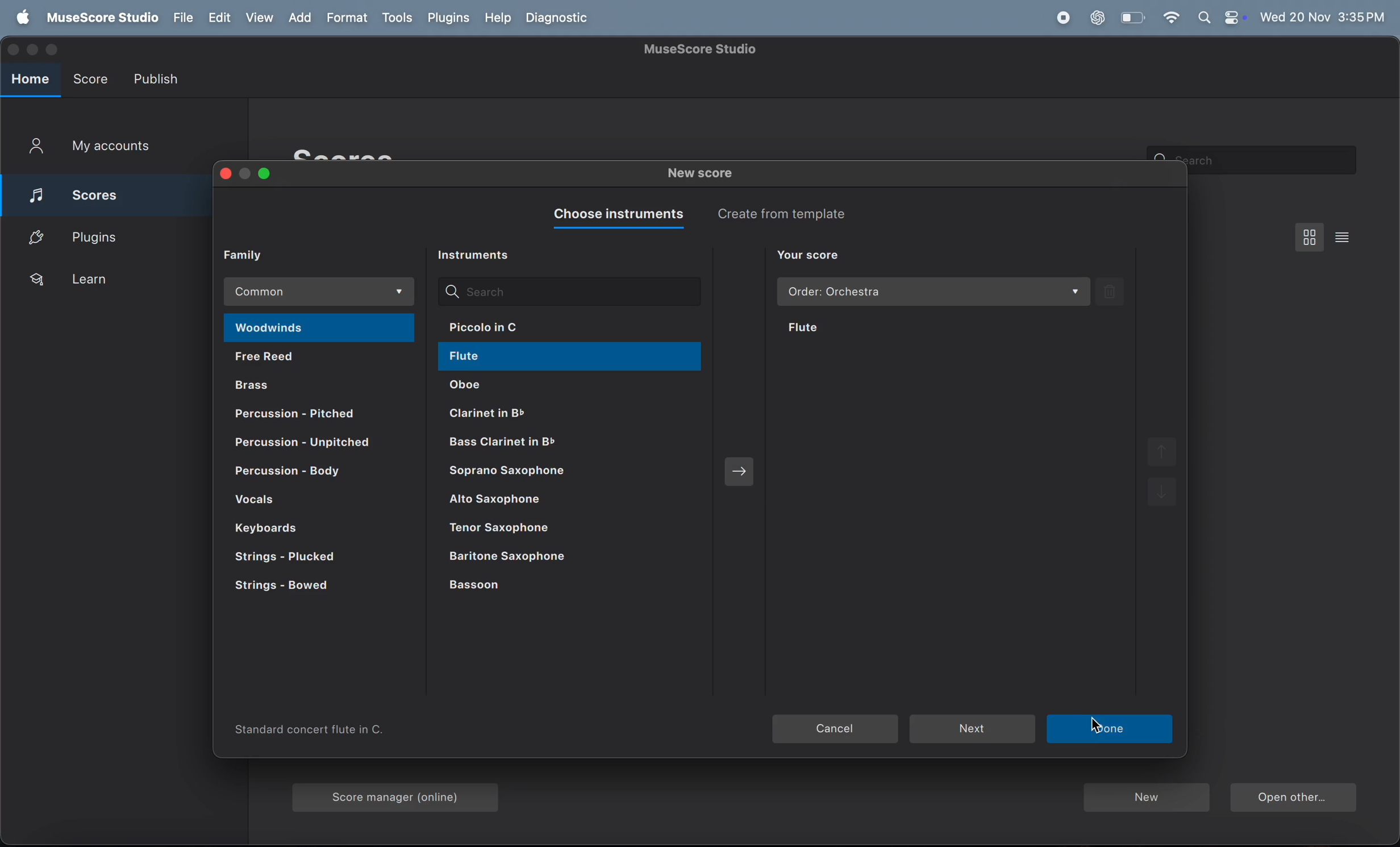 The height and width of the screenshot is (847, 1400). I want to click on use score studi0 menu, so click(99, 18).